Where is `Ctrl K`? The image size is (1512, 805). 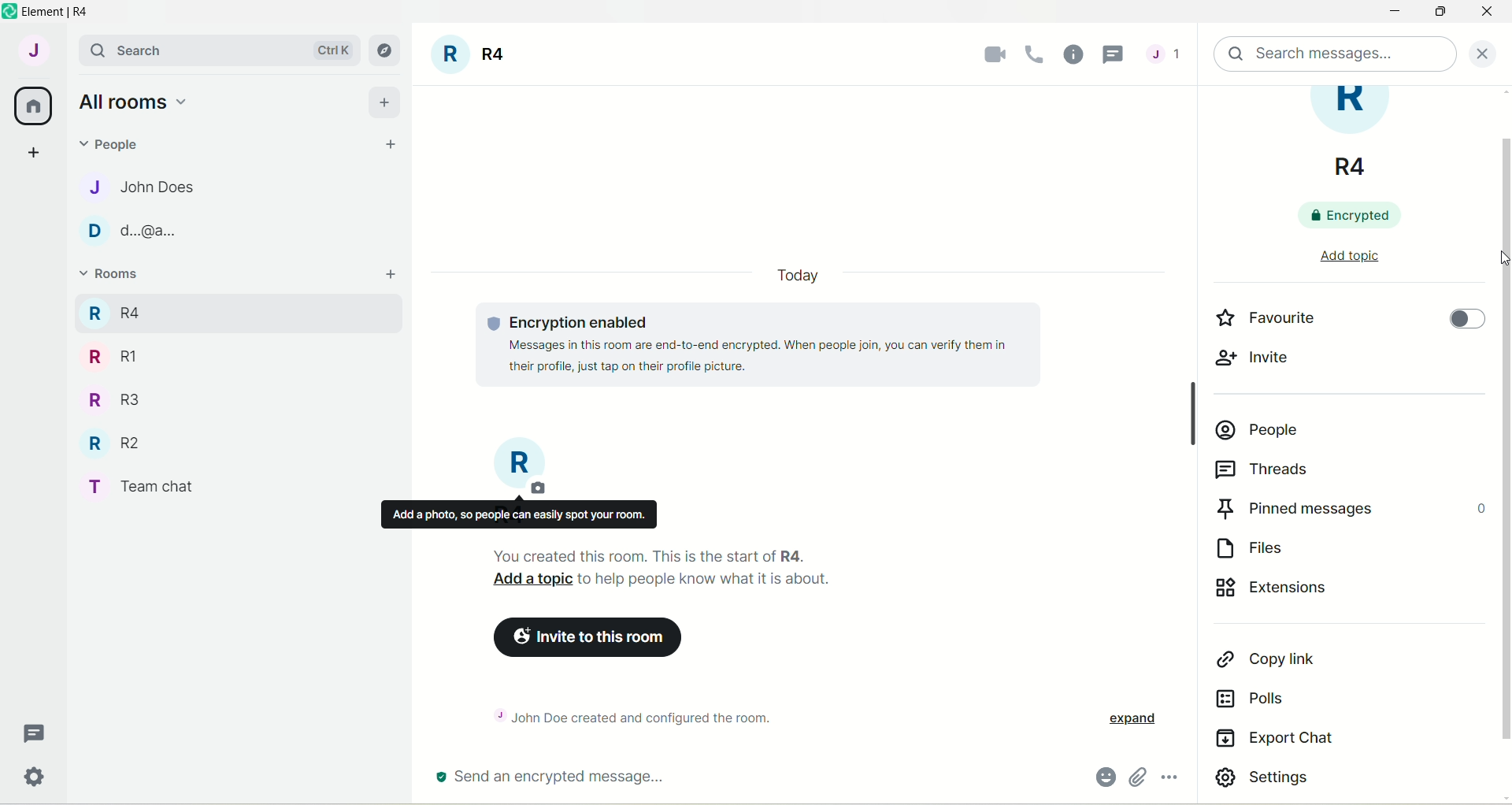 Ctrl K is located at coordinates (330, 50).